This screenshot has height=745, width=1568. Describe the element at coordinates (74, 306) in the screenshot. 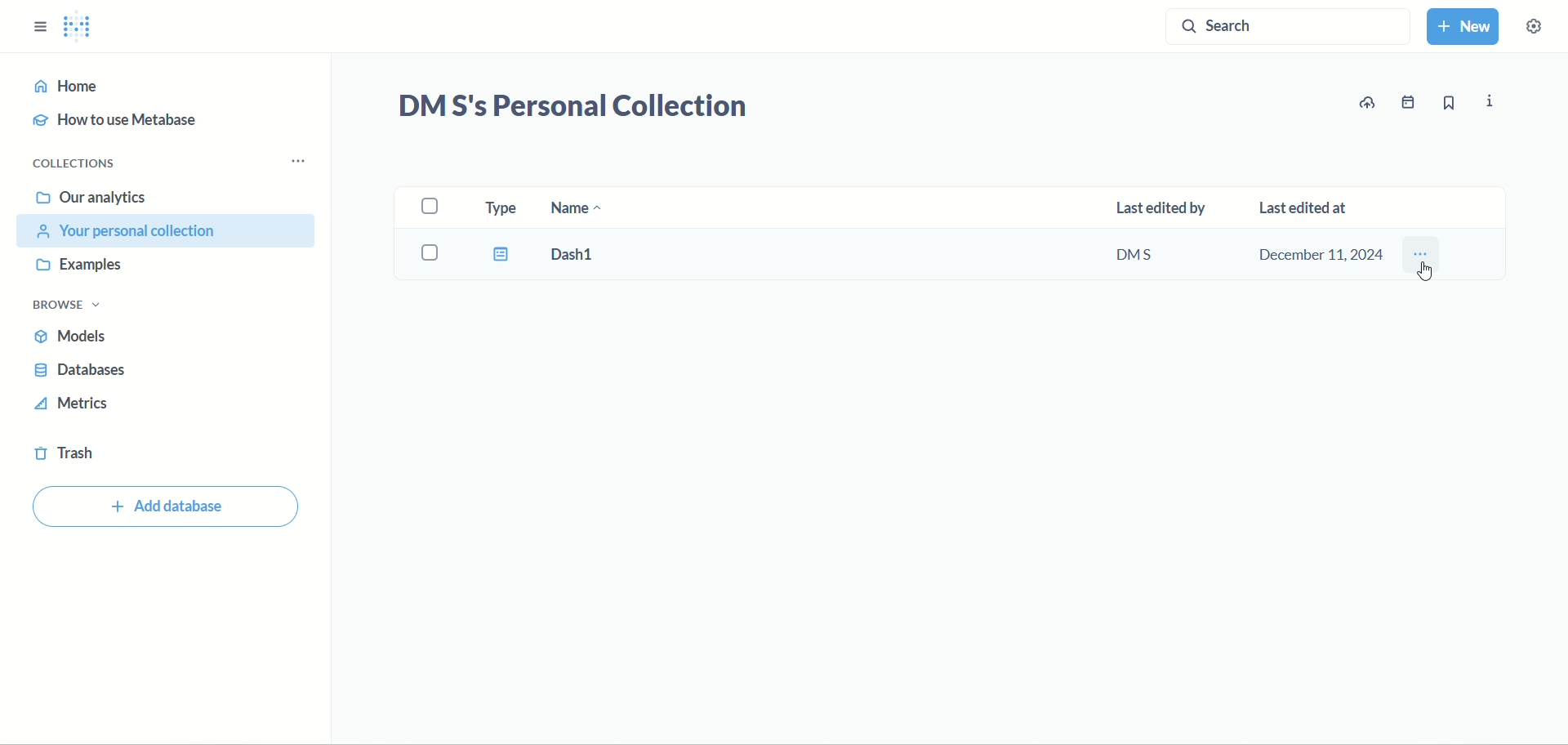

I see `browse` at that location.